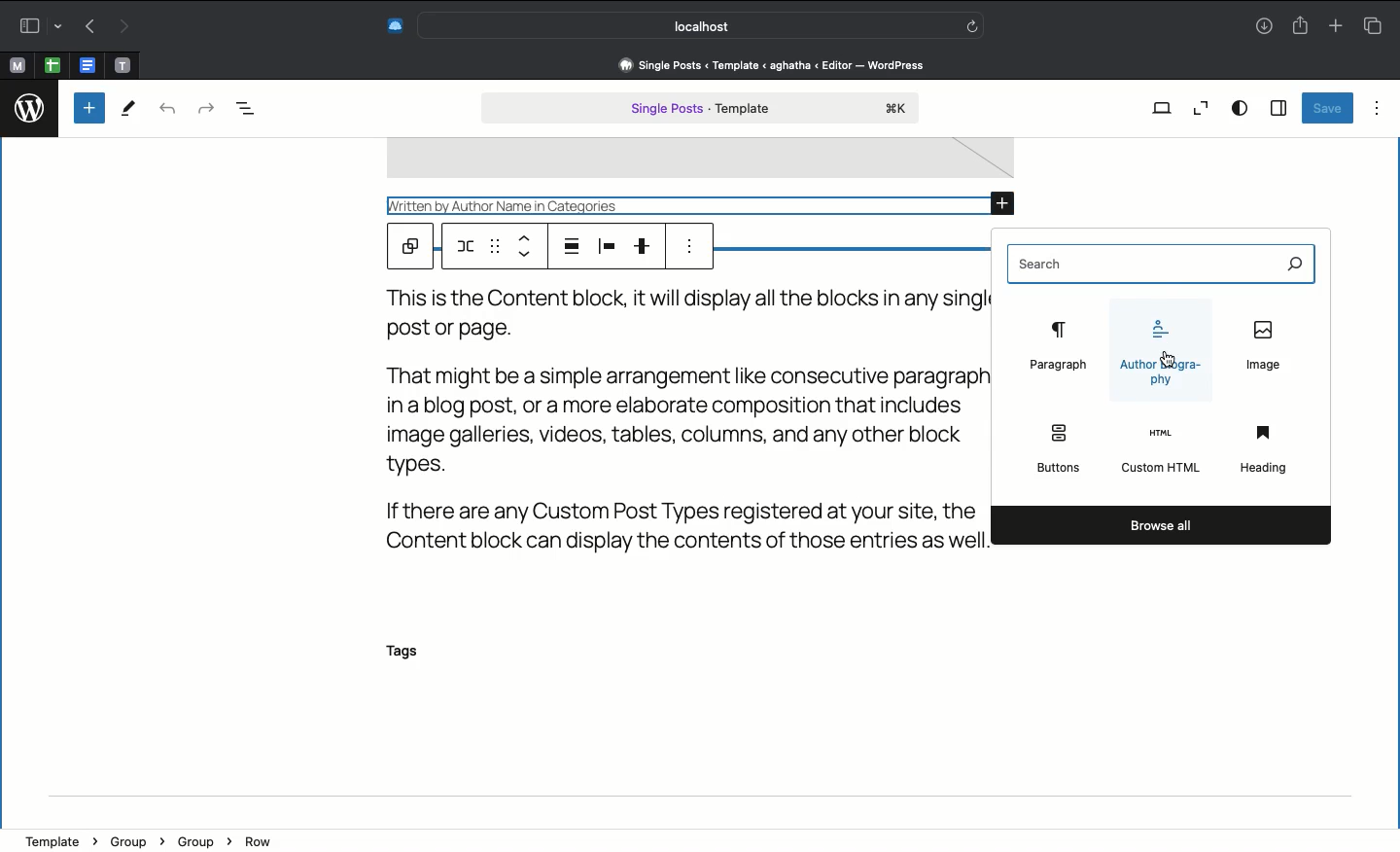 This screenshot has width=1400, height=852. Describe the element at coordinates (167, 110) in the screenshot. I see `Undo` at that location.